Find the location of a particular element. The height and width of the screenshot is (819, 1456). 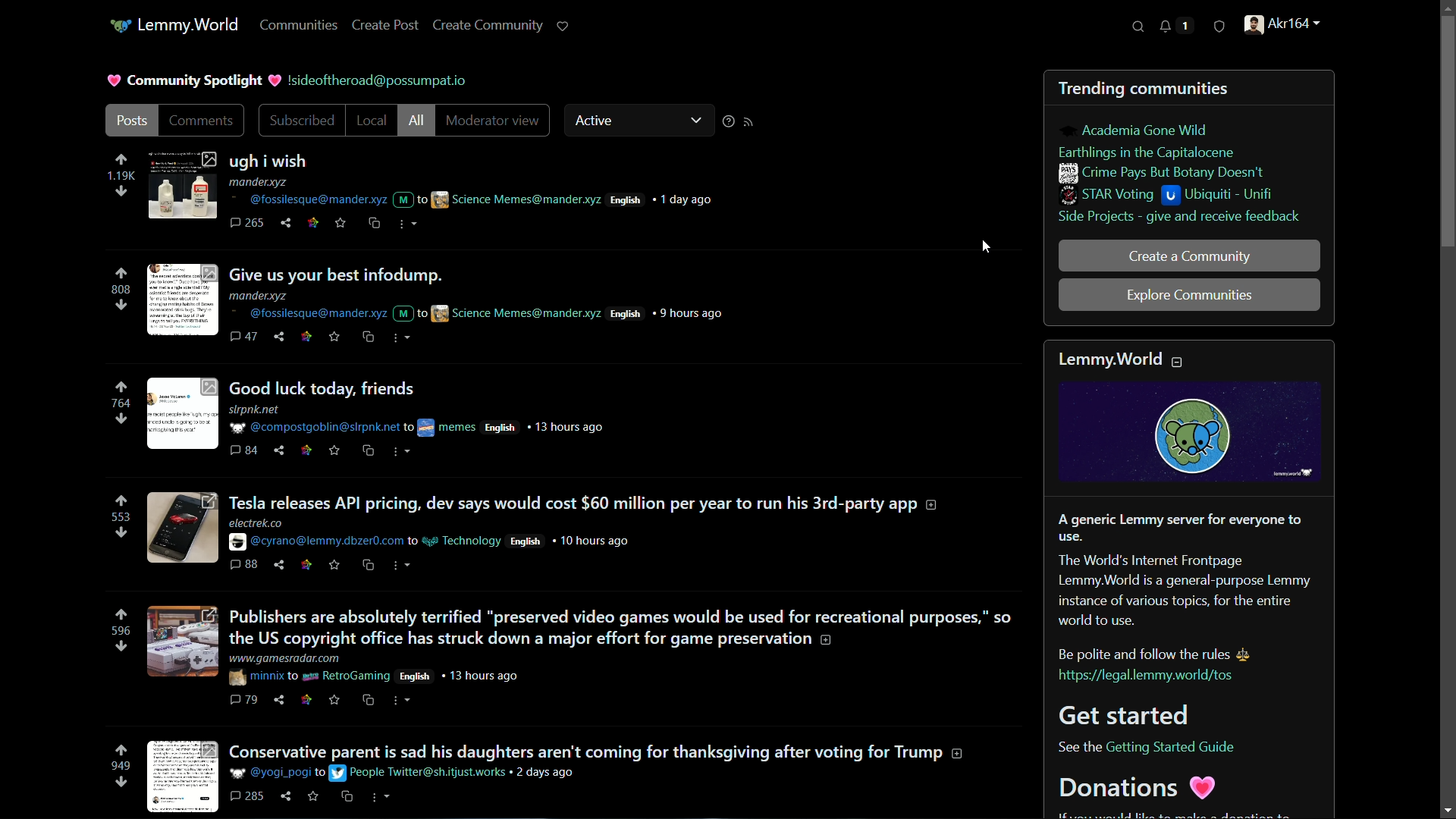

@compostgoblin@slrpnk.net is located at coordinates (312, 428).